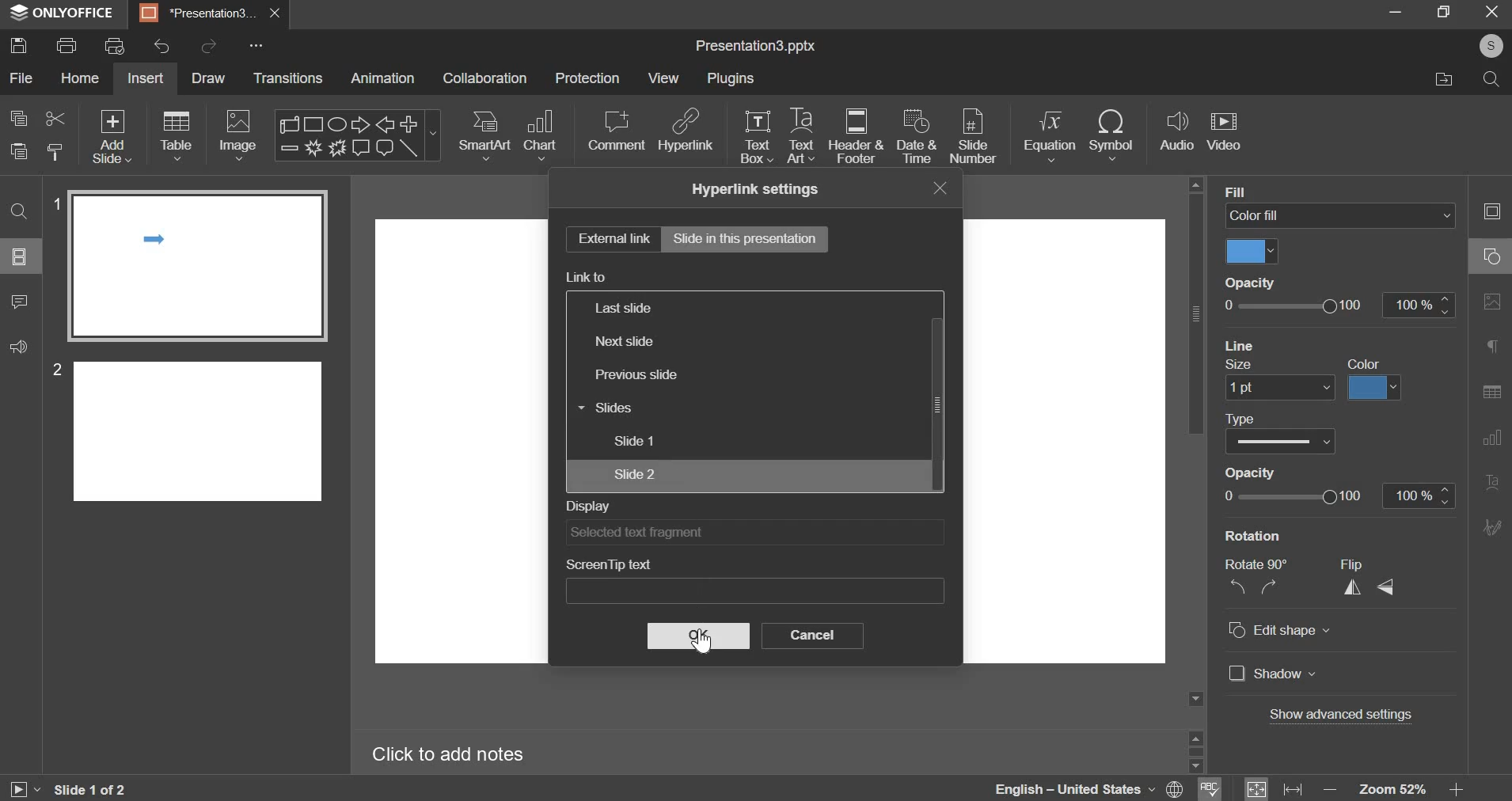 The height and width of the screenshot is (801, 1512). Describe the element at coordinates (662, 441) in the screenshot. I see `Slide 1` at that location.